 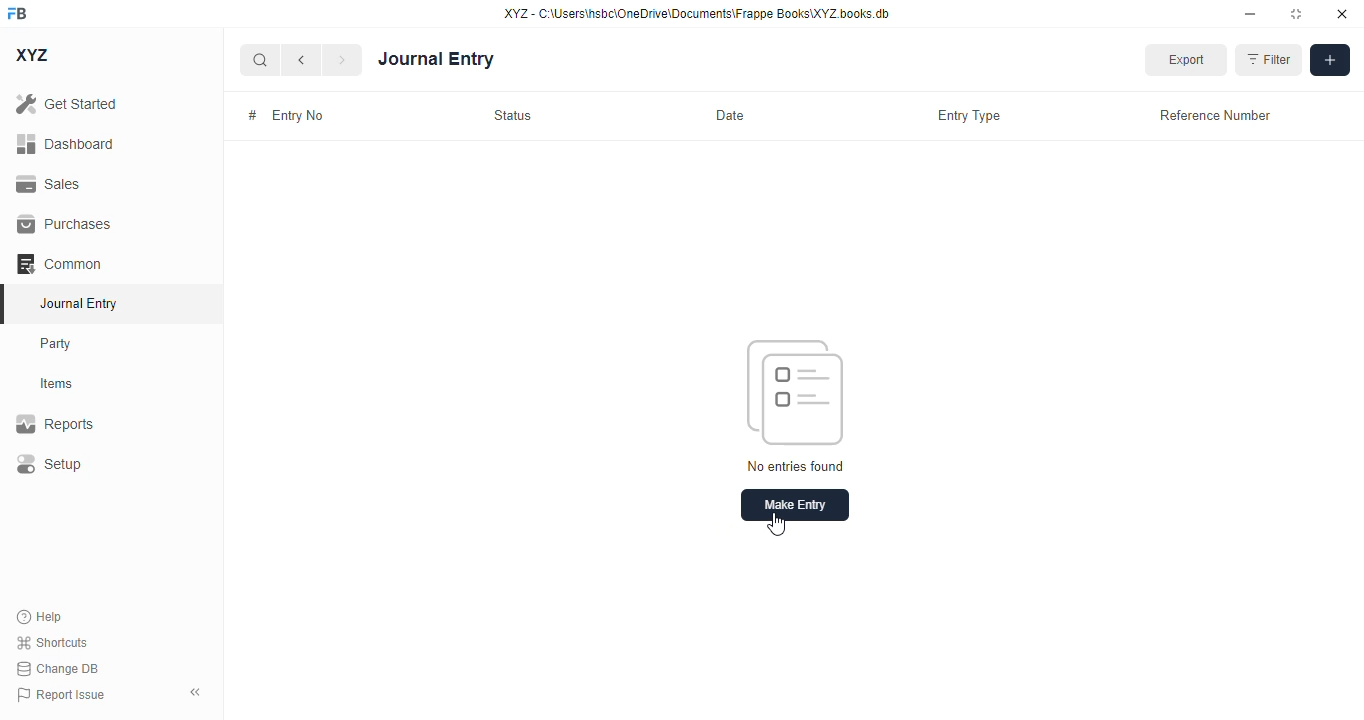 I want to click on party, so click(x=58, y=344).